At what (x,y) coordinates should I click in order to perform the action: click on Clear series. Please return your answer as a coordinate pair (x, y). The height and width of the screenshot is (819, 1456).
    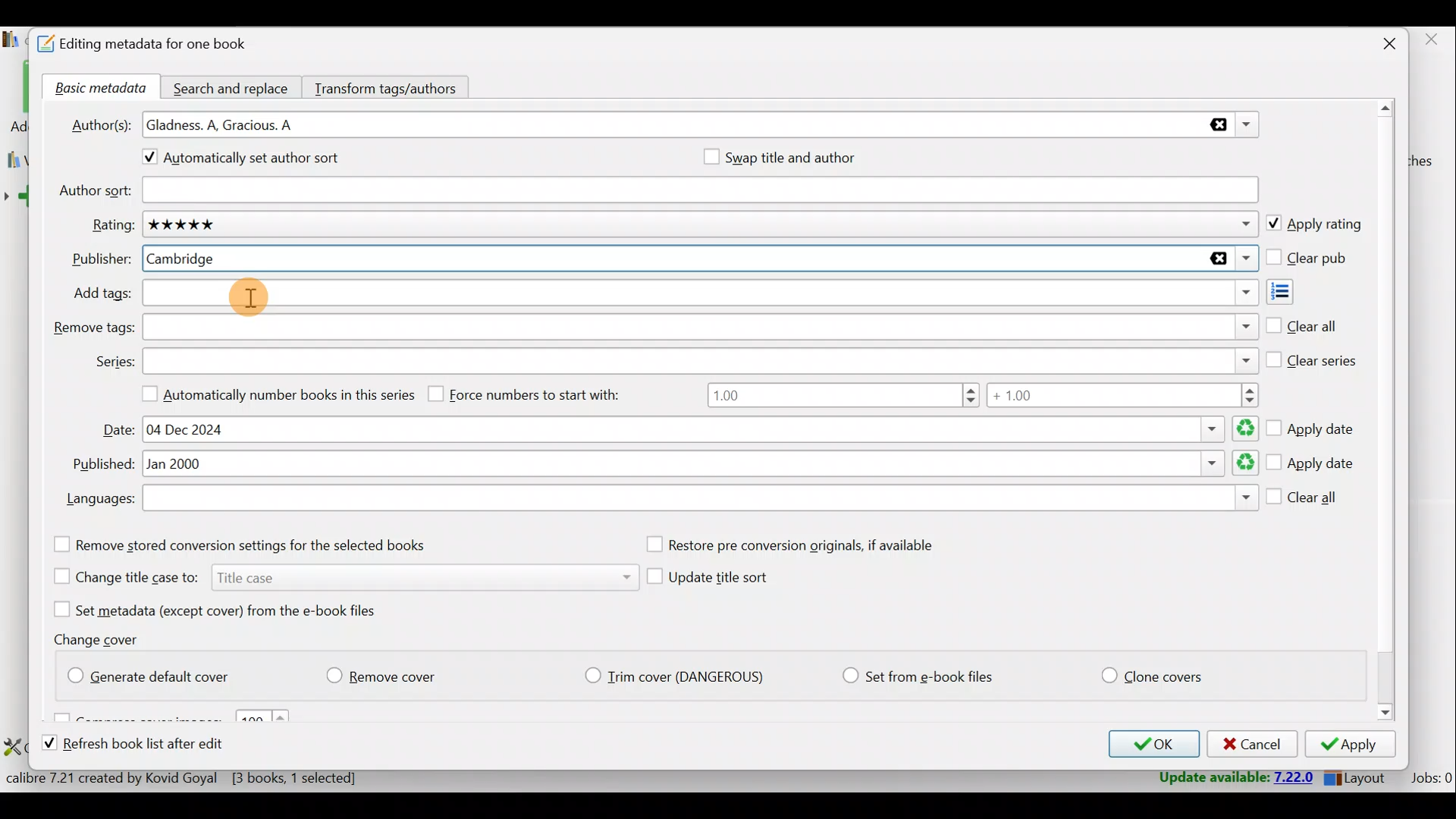
    Looking at the image, I should click on (1313, 357).